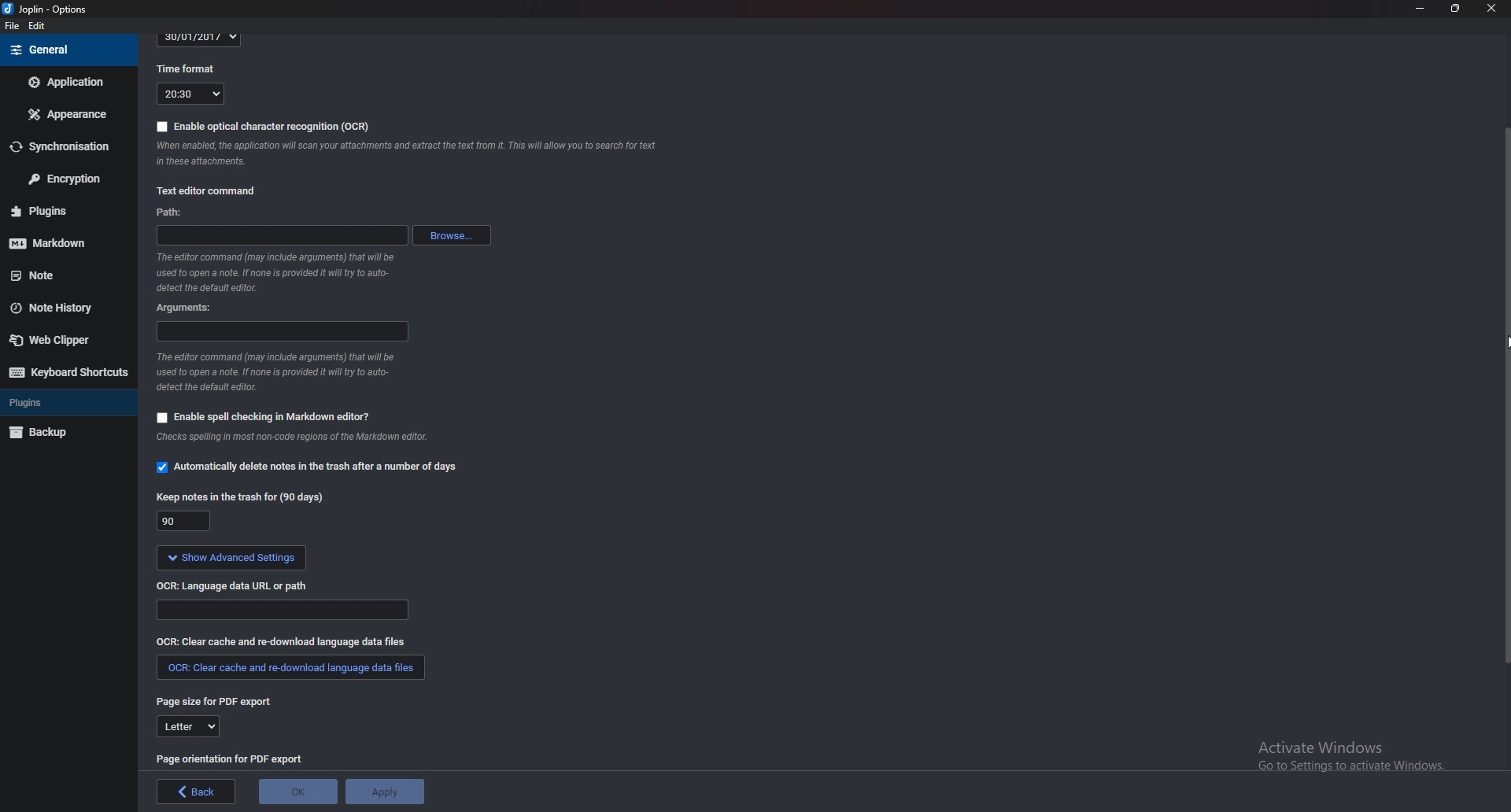 This screenshot has height=812, width=1511. What do you see at coordinates (66, 145) in the screenshot?
I see `Synchronization` at bounding box center [66, 145].